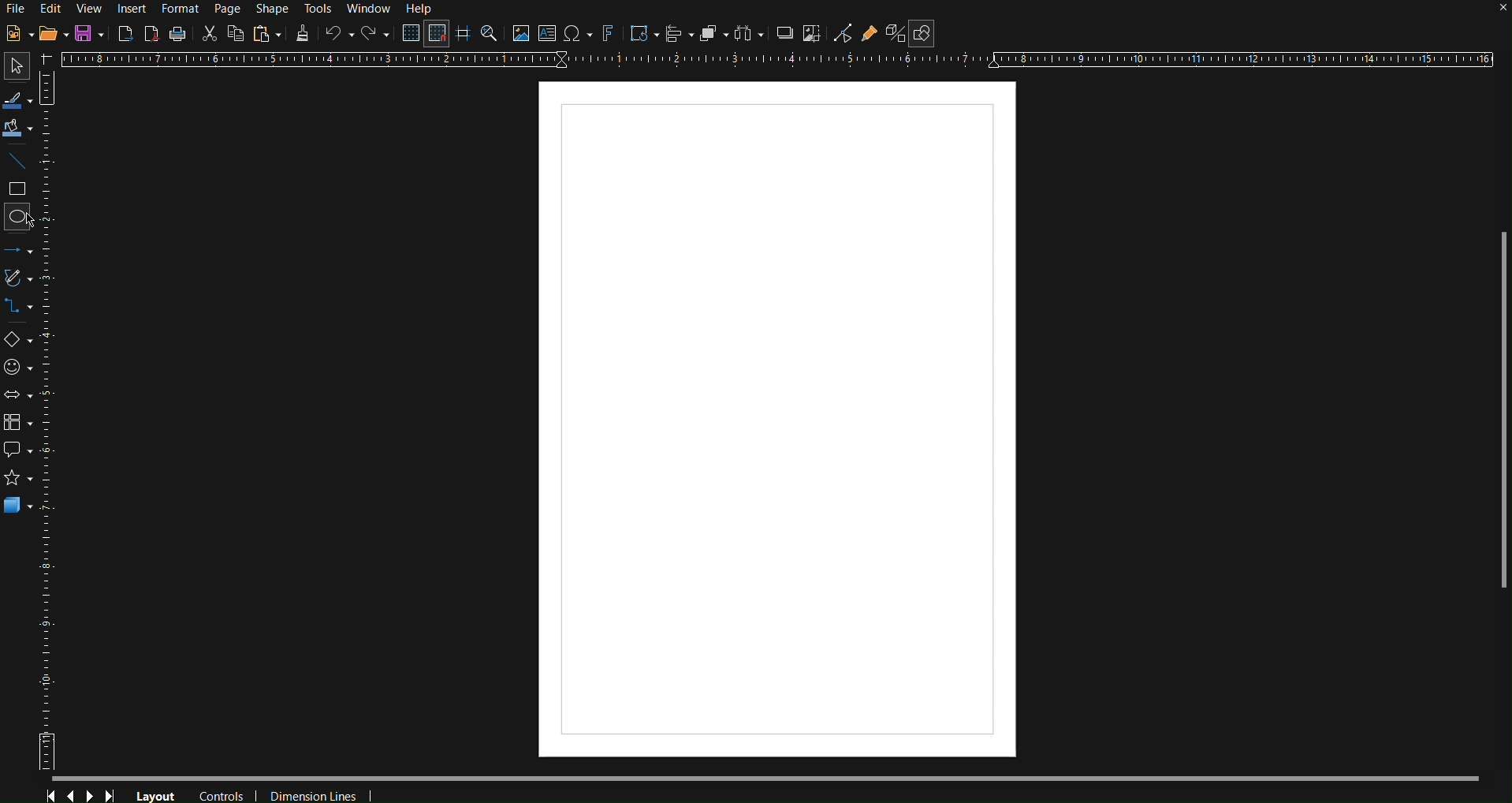 This screenshot has width=1512, height=803. What do you see at coordinates (776, 424) in the screenshot?
I see `Canvas` at bounding box center [776, 424].